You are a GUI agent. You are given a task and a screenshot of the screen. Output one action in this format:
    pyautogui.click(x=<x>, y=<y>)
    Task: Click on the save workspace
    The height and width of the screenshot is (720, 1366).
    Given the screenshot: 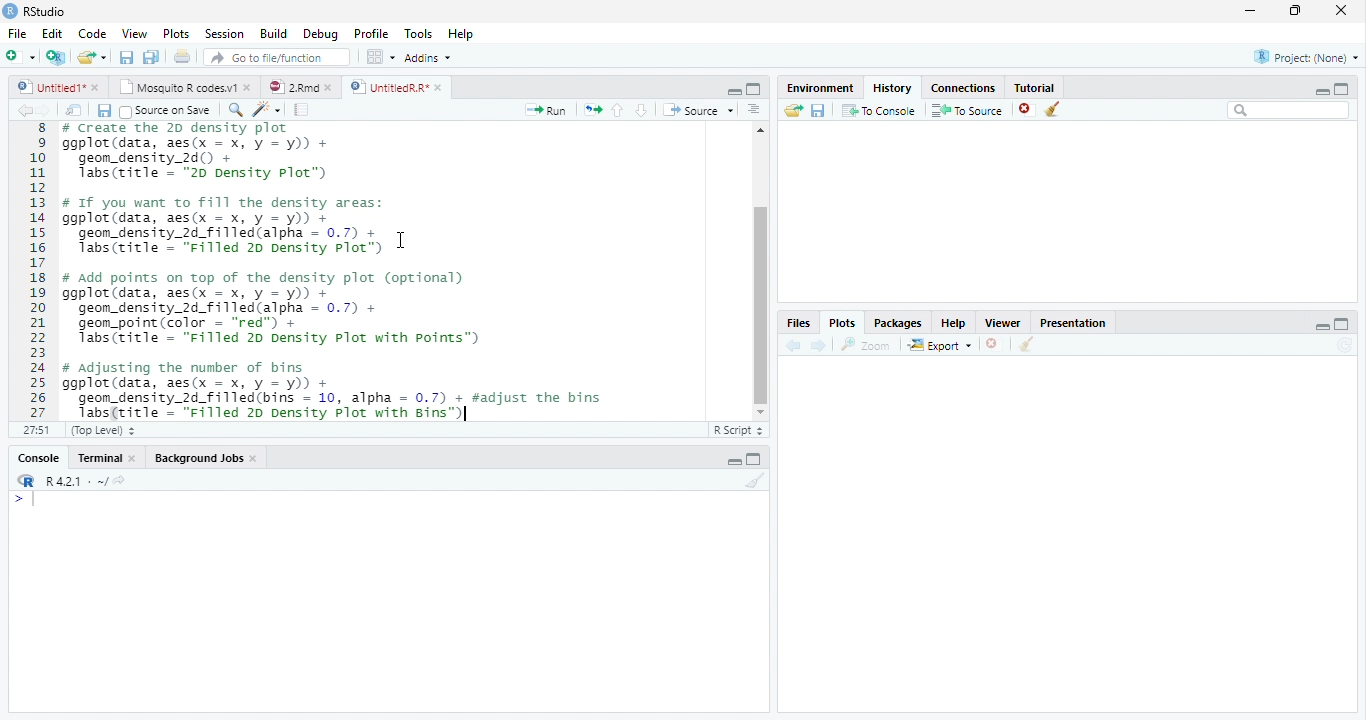 What is the action you would take?
    pyautogui.click(x=820, y=111)
    